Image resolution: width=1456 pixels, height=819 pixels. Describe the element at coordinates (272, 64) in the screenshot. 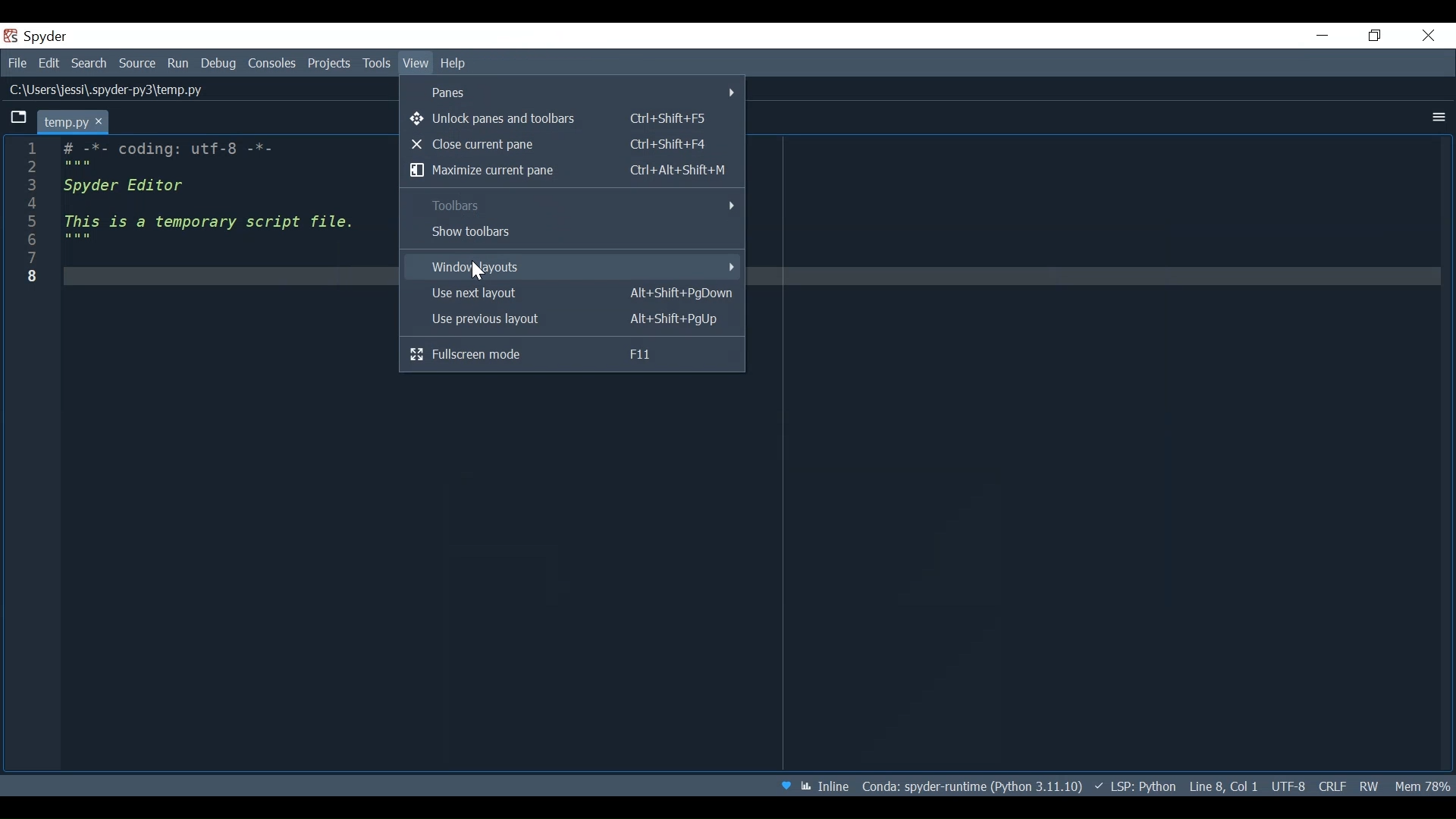

I see `Console` at that location.